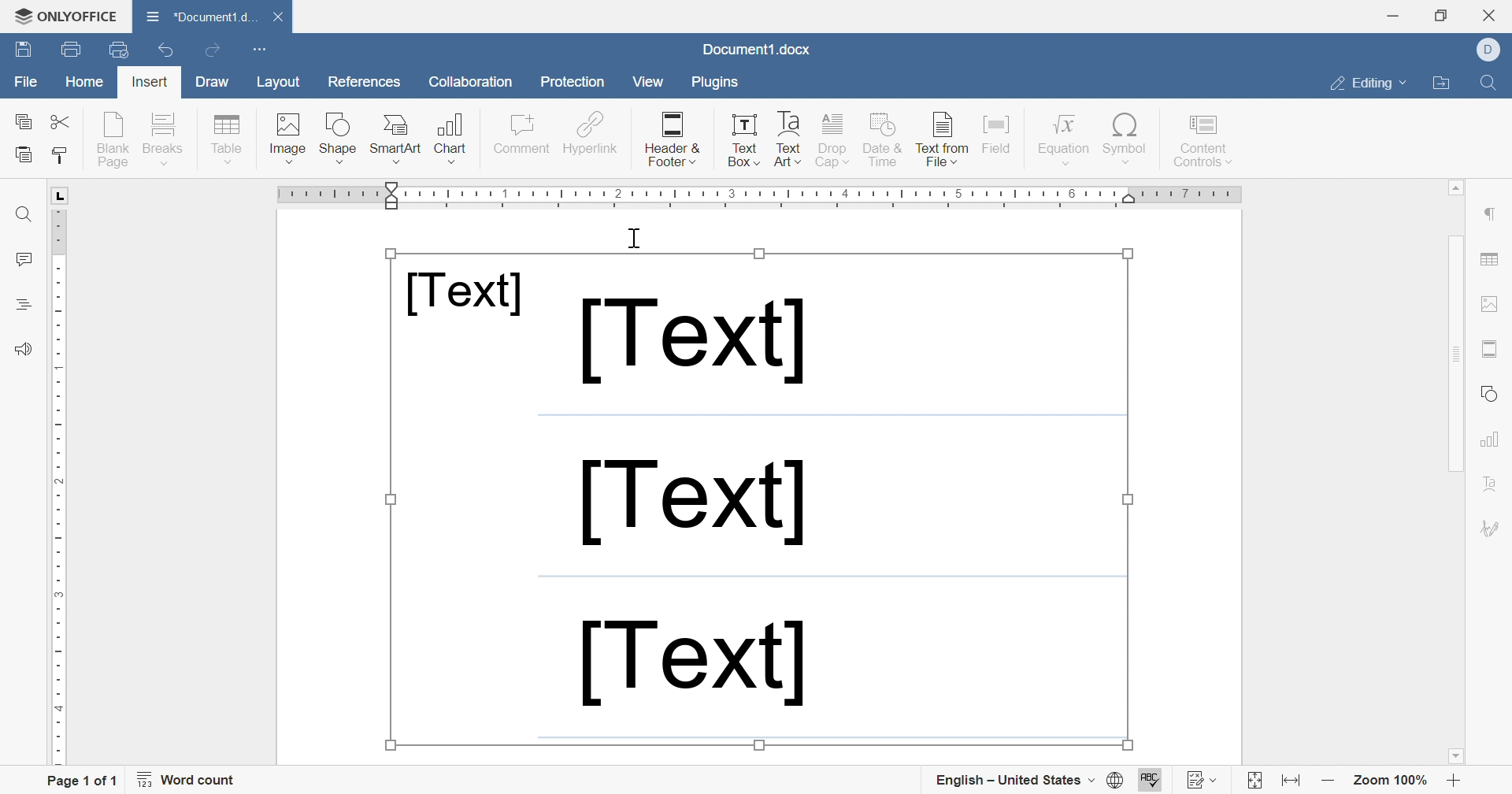 This screenshot has height=794, width=1512. Describe the element at coordinates (187, 780) in the screenshot. I see `Word count` at that location.